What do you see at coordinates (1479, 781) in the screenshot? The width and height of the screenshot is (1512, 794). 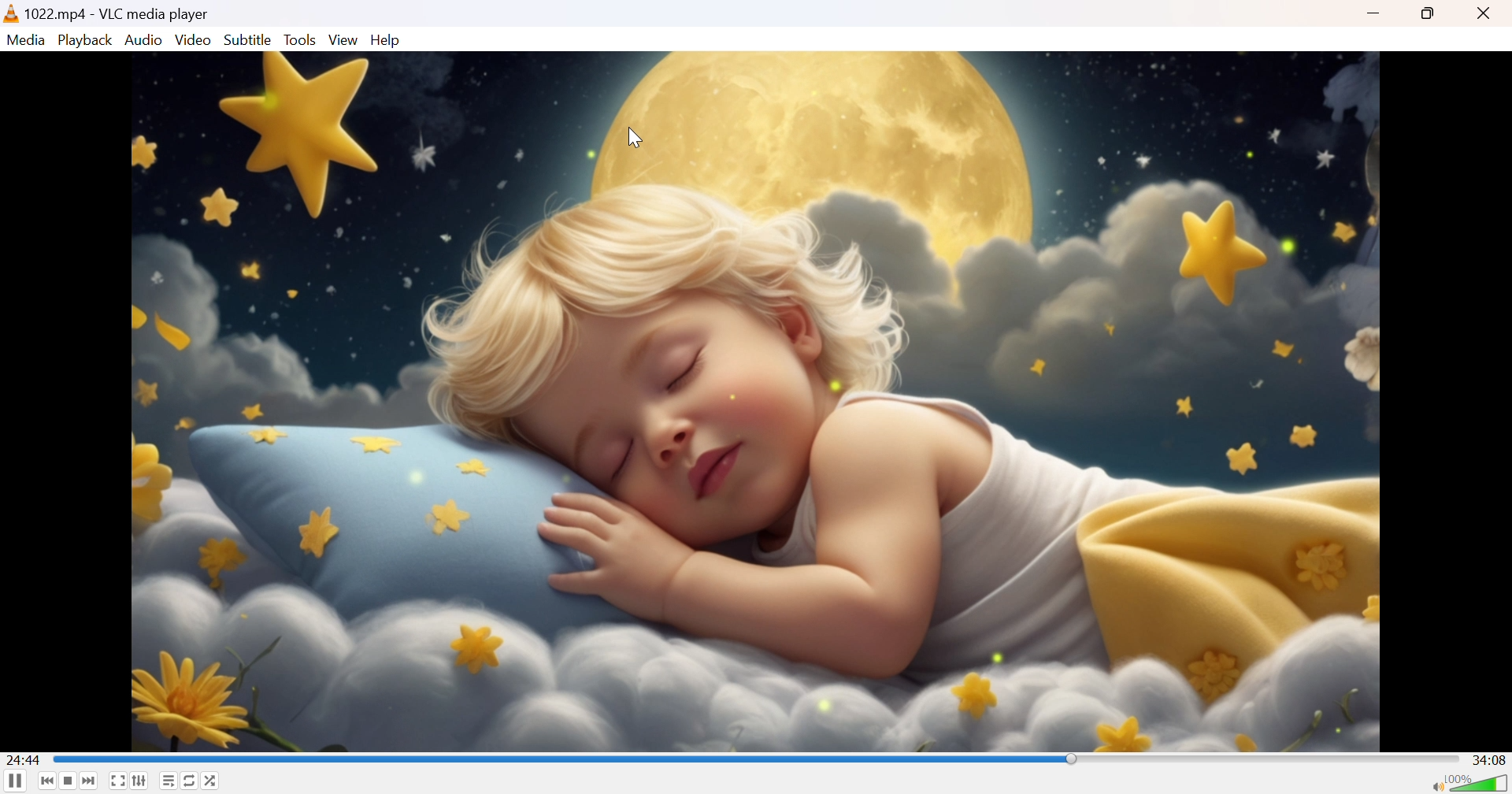 I see `Volume` at bounding box center [1479, 781].